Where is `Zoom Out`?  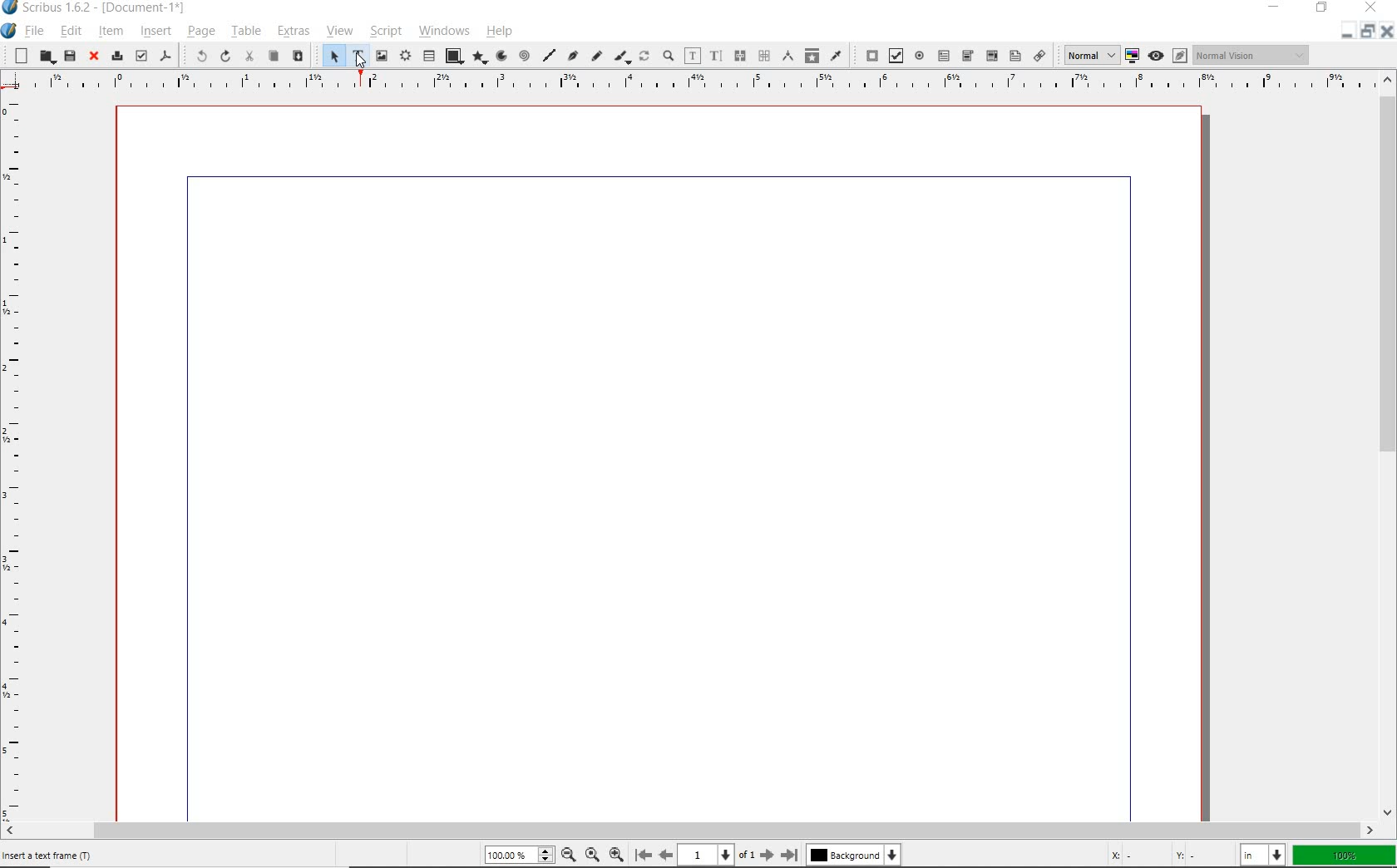 Zoom Out is located at coordinates (570, 856).